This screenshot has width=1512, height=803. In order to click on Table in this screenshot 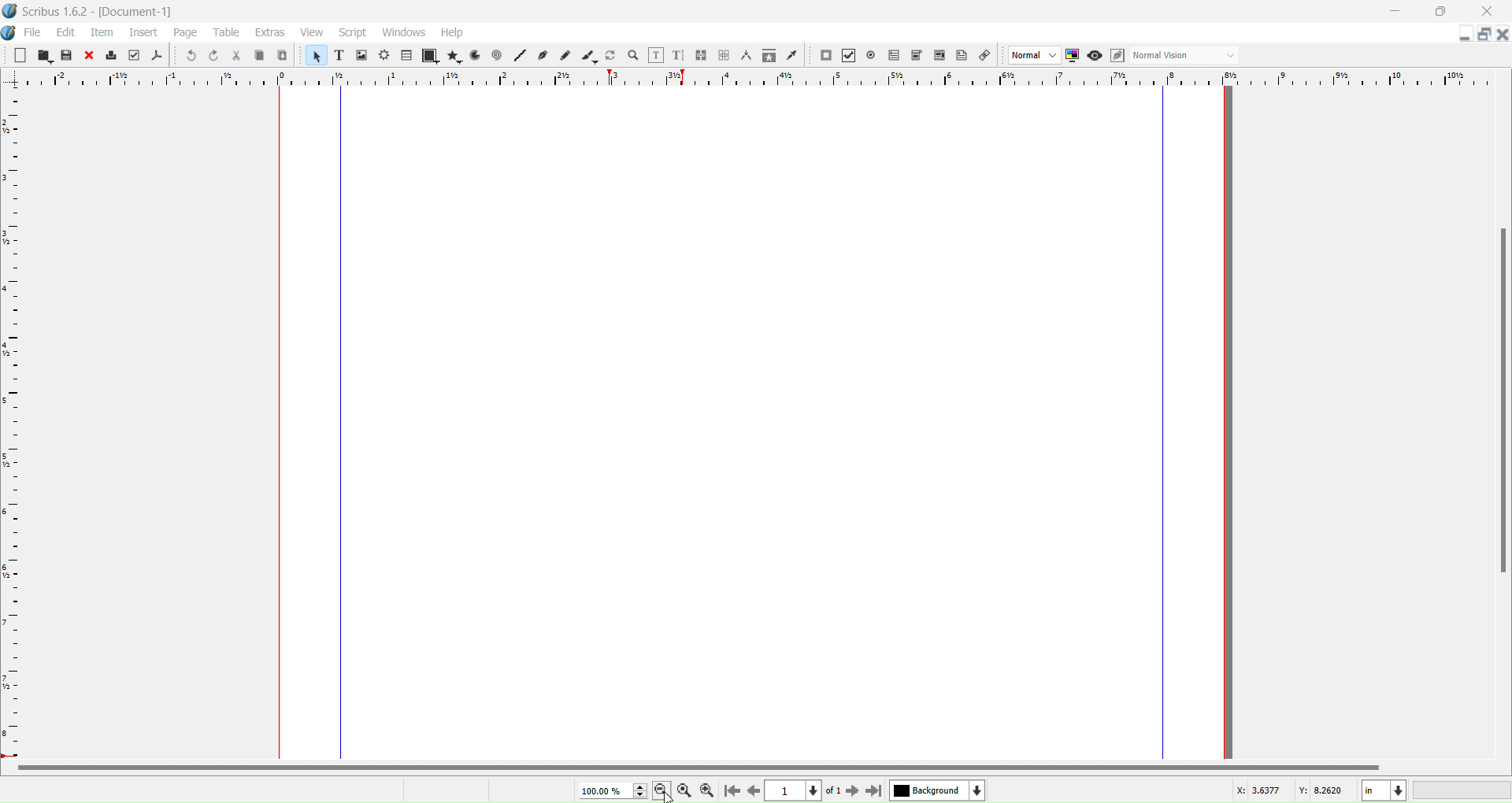, I will do `click(226, 32)`.